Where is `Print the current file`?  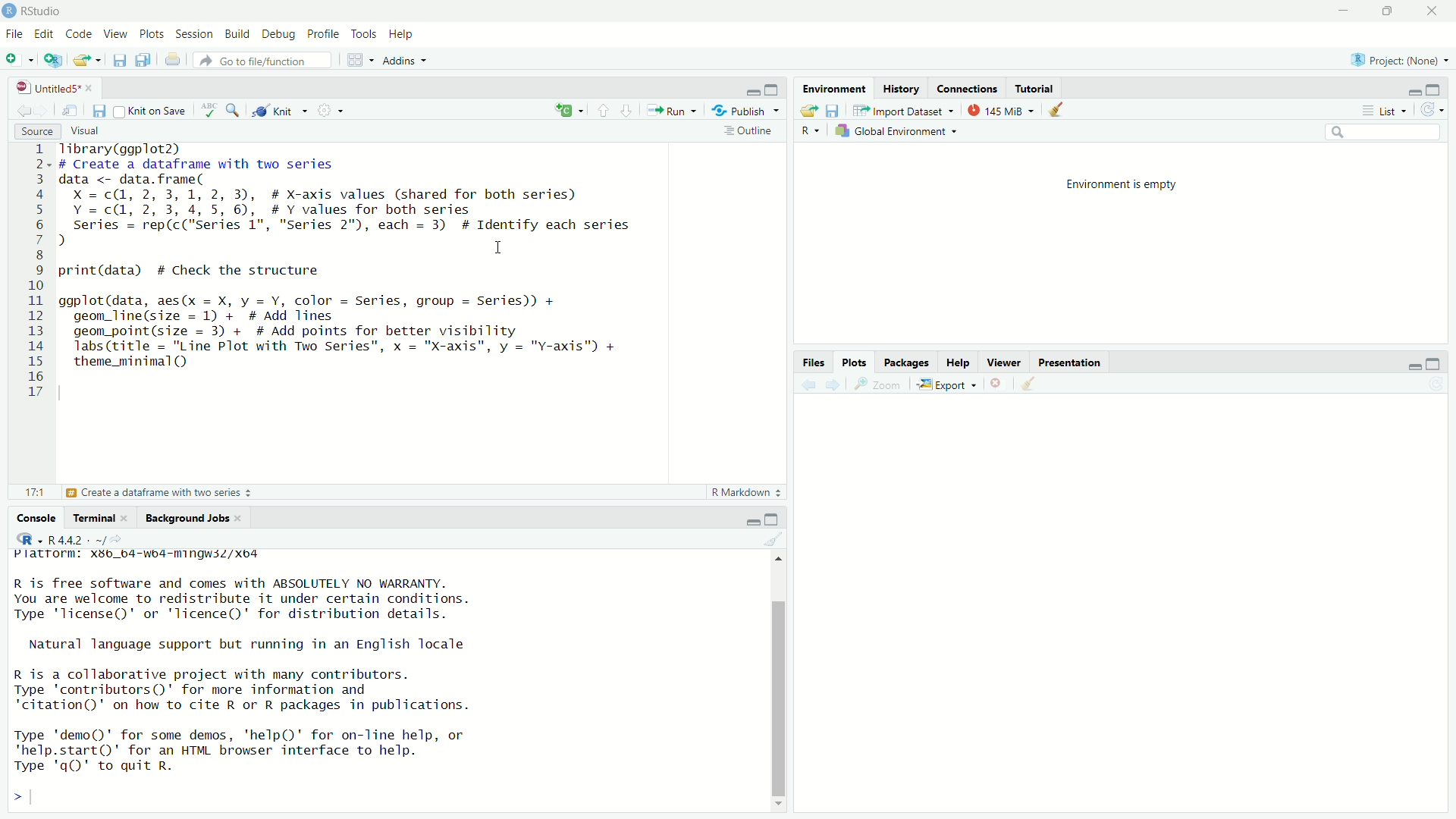
Print the current file is located at coordinates (173, 60).